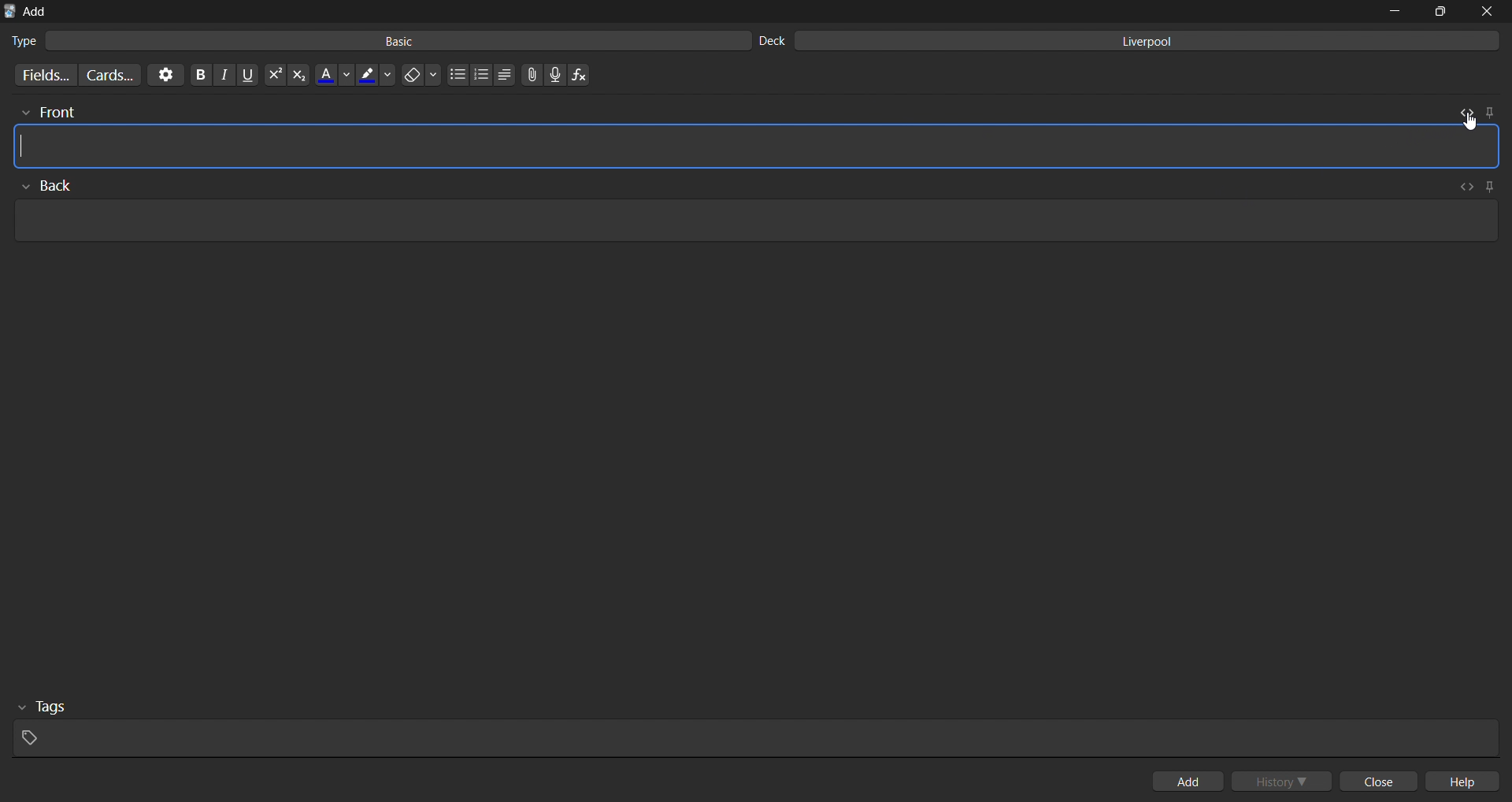  What do you see at coordinates (1463, 186) in the screenshot?
I see `toggle html editor` at bounding box center [1463, 186].